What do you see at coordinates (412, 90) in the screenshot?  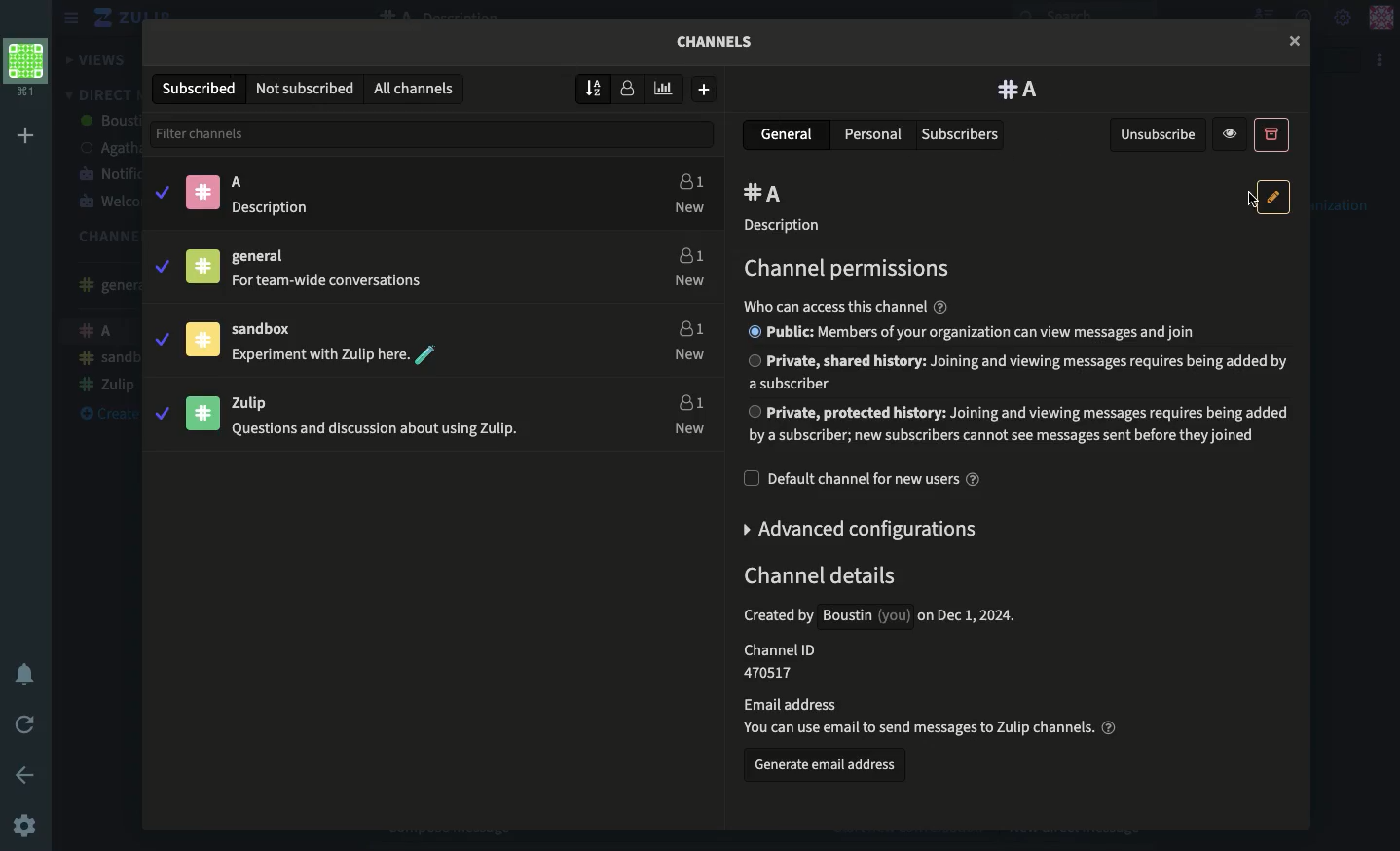 I see `All channels` at bounding box center [412, 90].